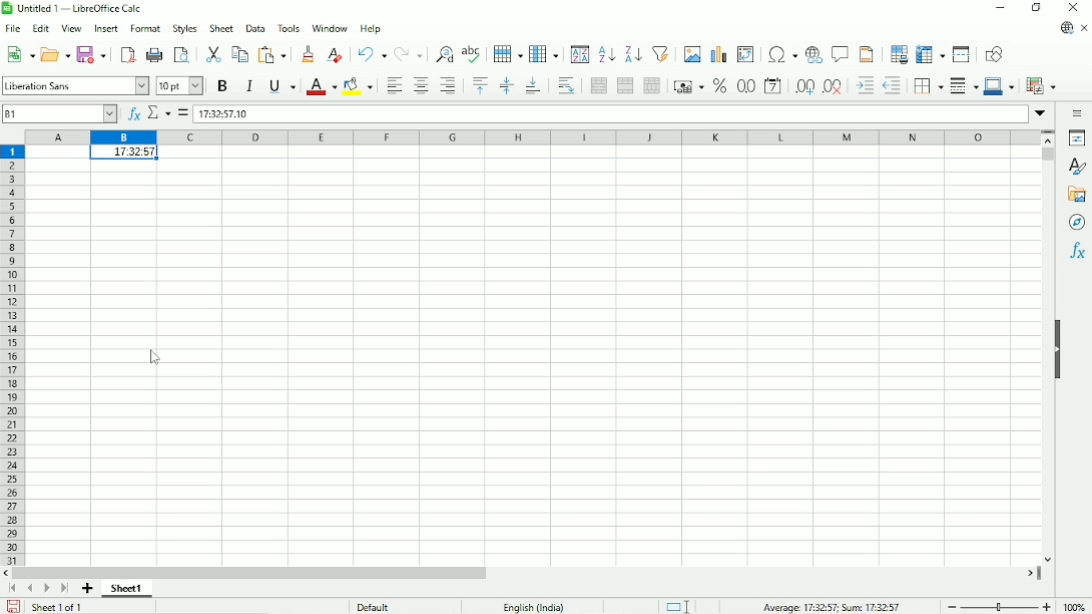 Image resolution: width=1092 pixels, height=614 pixels. What do you see at coordinates (283, 87) in the screenshot?
I see `Underline` at bounding box center [283, 87].